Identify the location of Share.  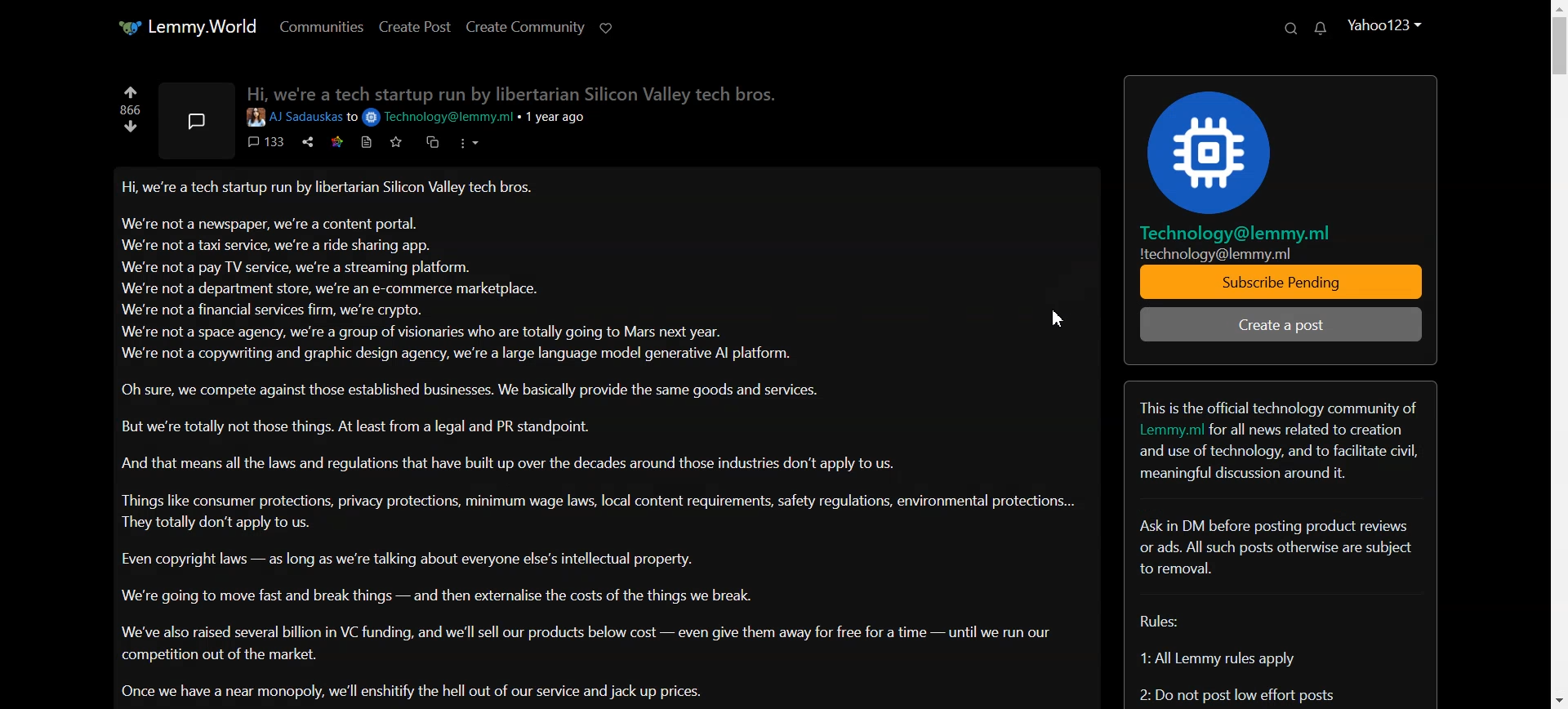
(306, 141).